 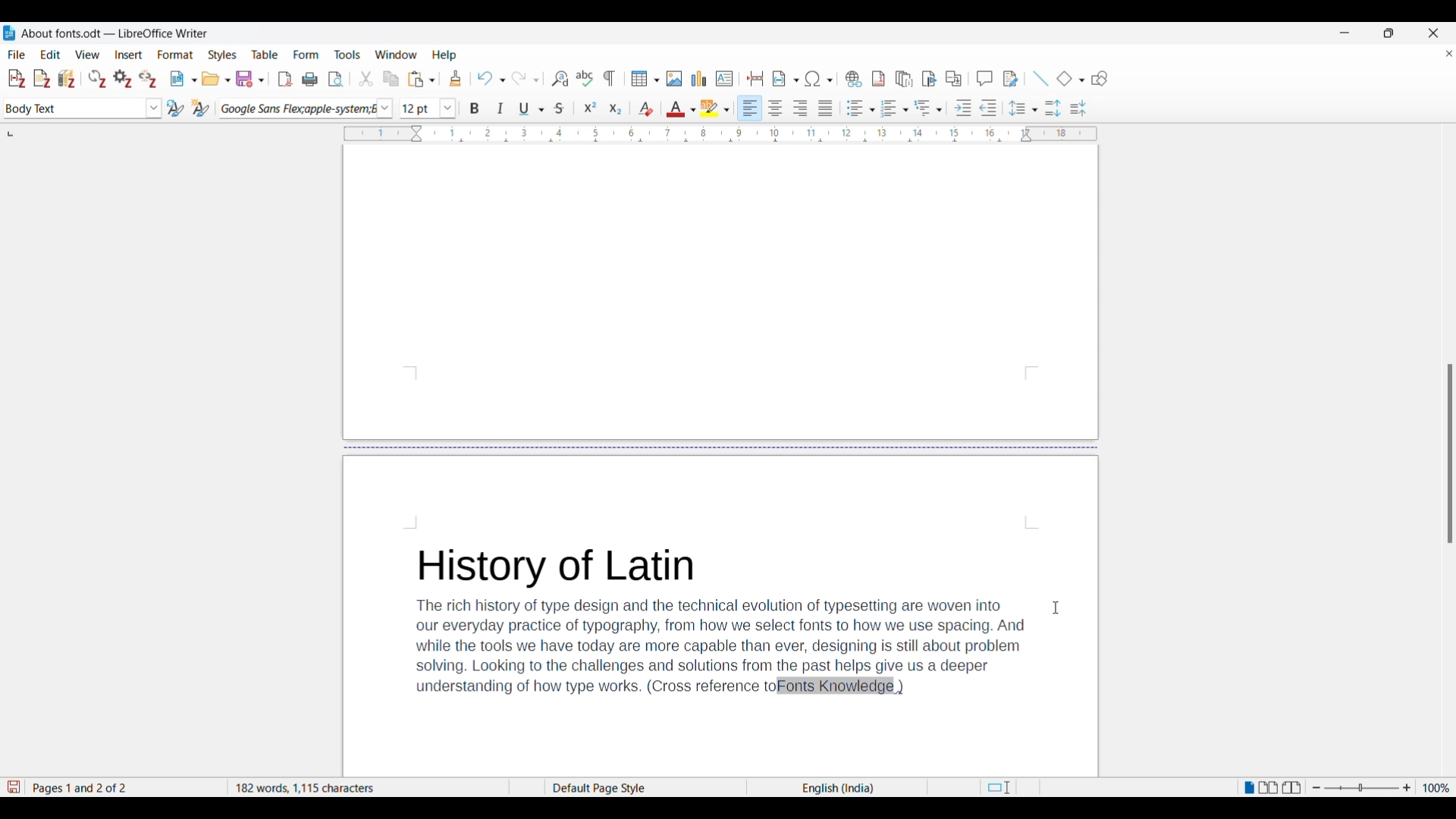 I want to click on Current zoom factor, so click(x=1436, y=788).